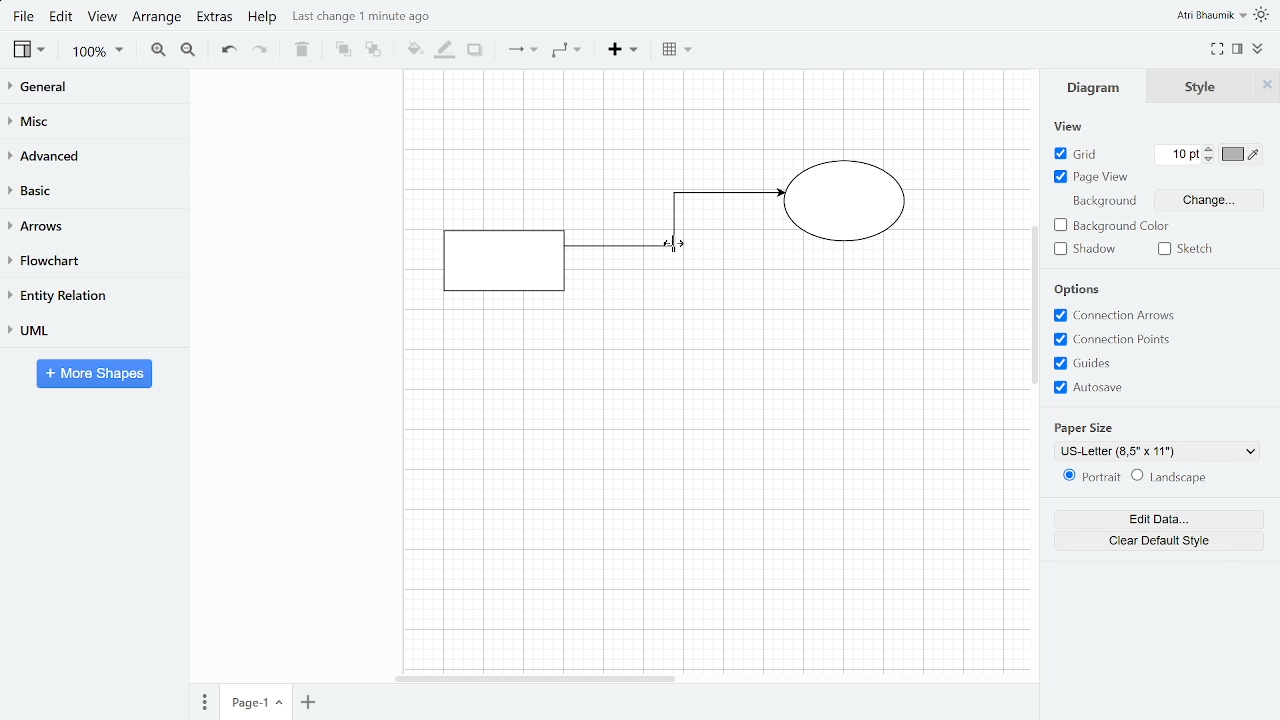 The height and width of the screenshot is (720, 1280). Describe the element at coordinates (1185, 248) in the screenshot. I see `Sketch` at that location.